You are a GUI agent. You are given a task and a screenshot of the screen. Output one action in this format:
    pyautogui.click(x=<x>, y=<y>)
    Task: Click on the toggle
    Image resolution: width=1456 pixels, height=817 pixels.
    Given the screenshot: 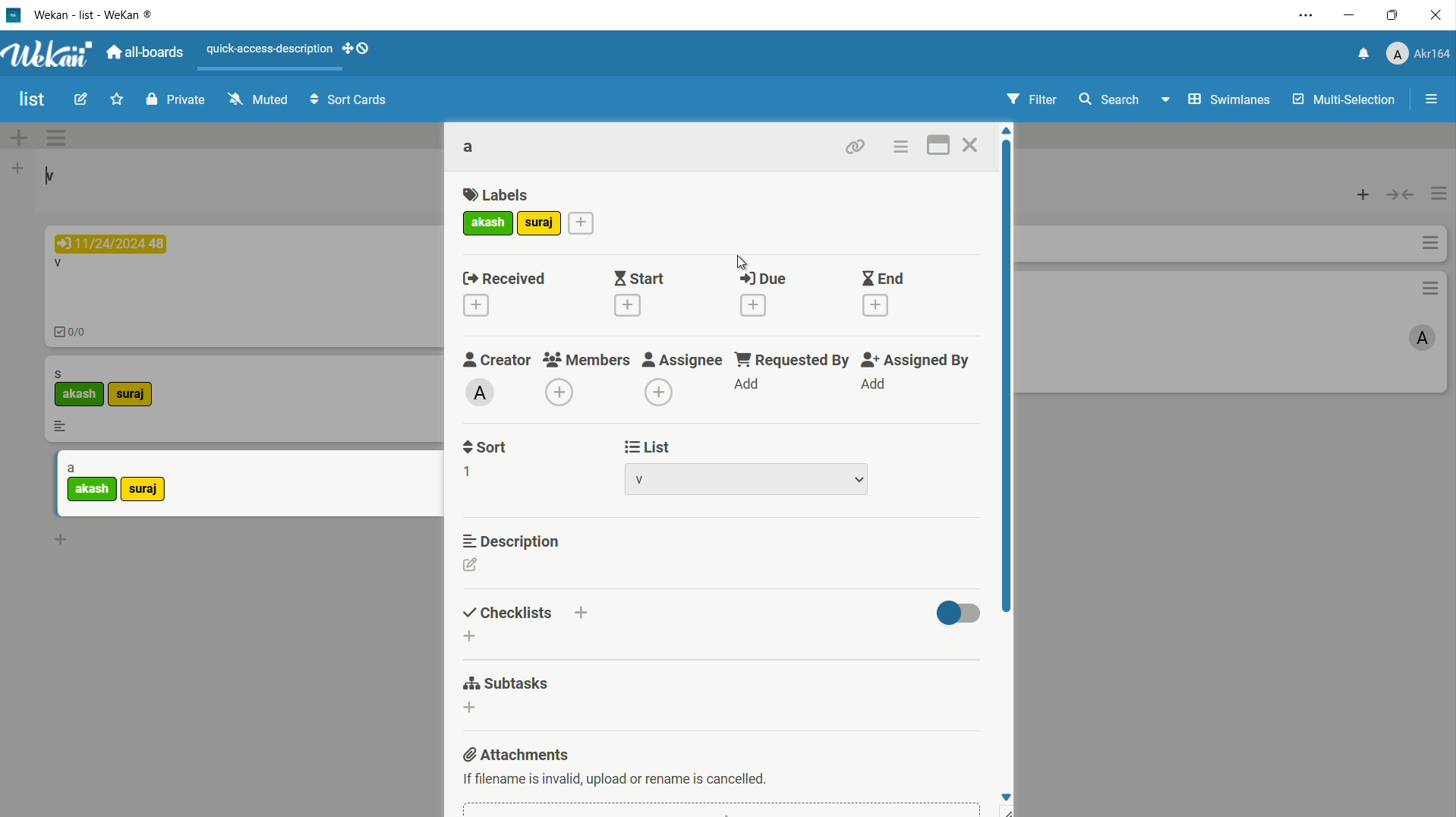 What is the action you would take?
    pyautogui.click(x=1401, y=197)
    